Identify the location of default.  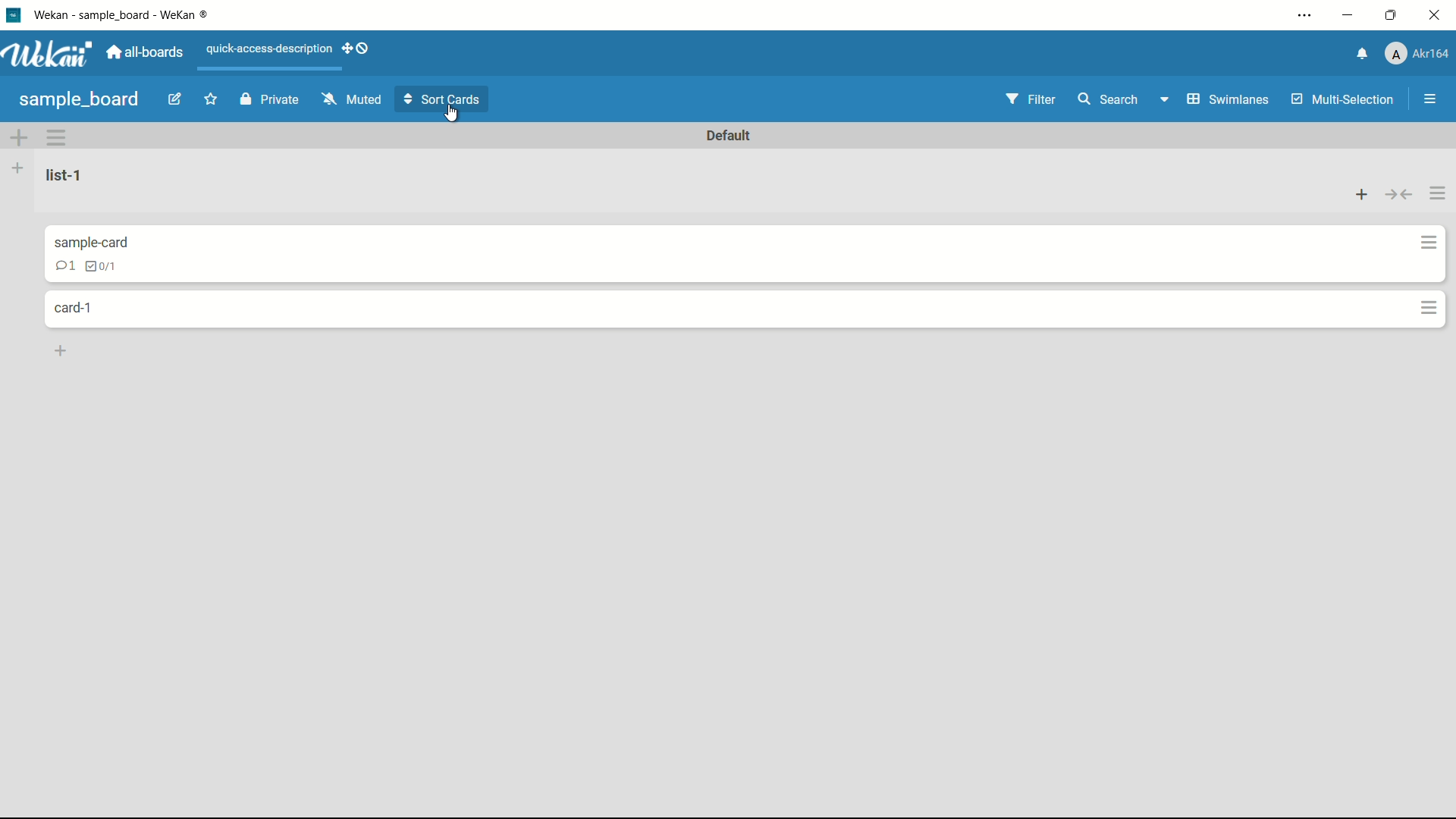
(731, 135).